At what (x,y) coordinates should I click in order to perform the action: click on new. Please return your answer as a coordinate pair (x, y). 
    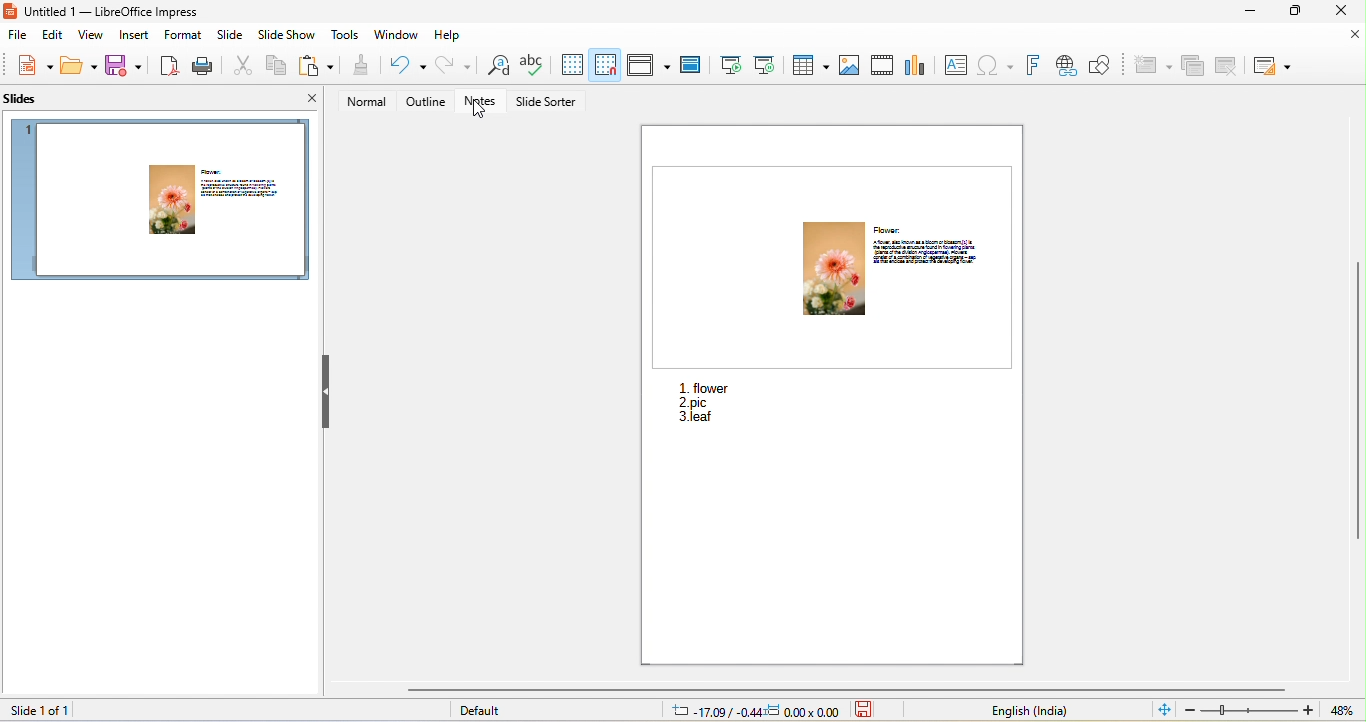
    Looking at the image, I should click on (35, 65).